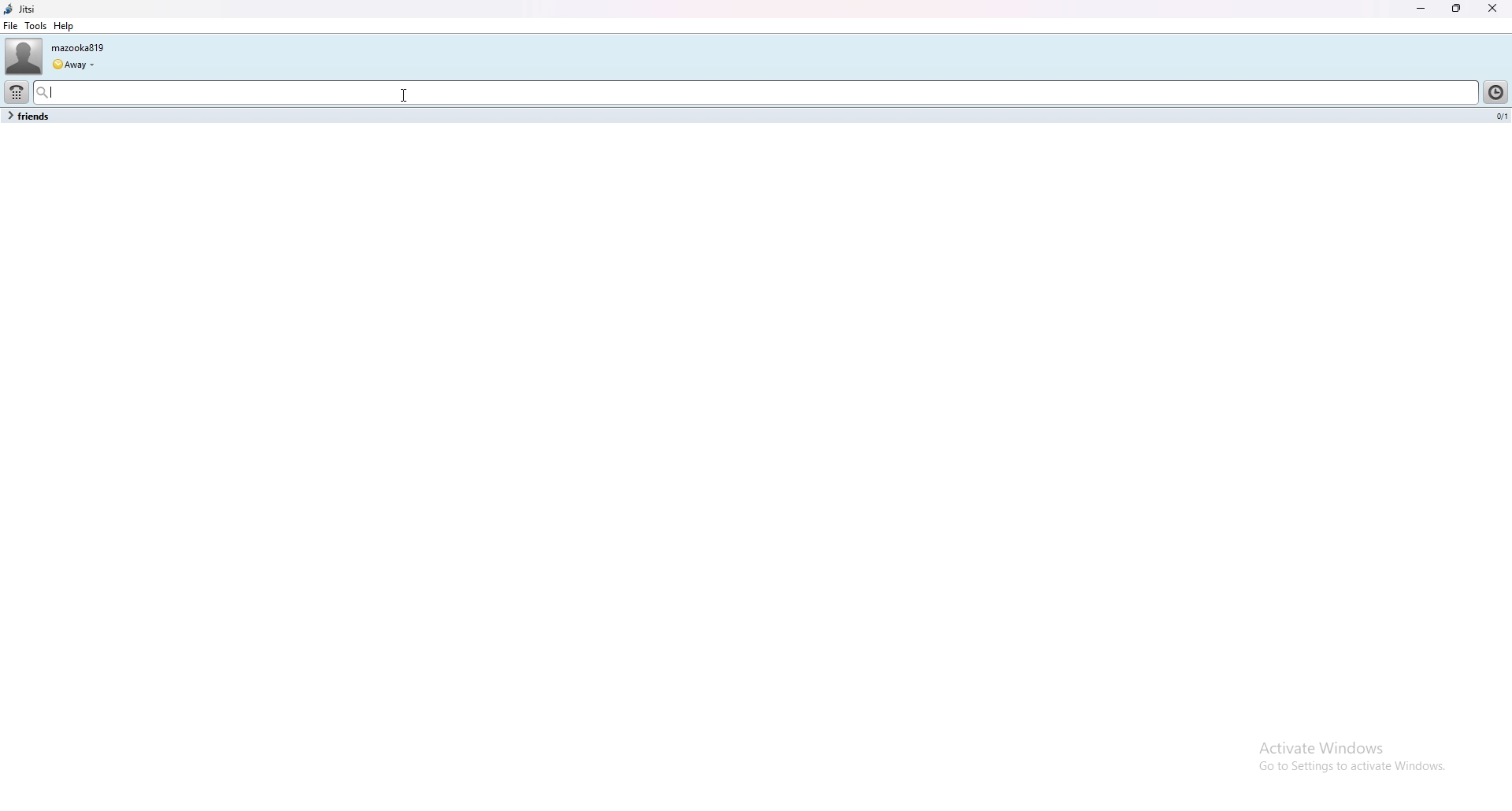  I want to click on dialpad, so click(16, 92).